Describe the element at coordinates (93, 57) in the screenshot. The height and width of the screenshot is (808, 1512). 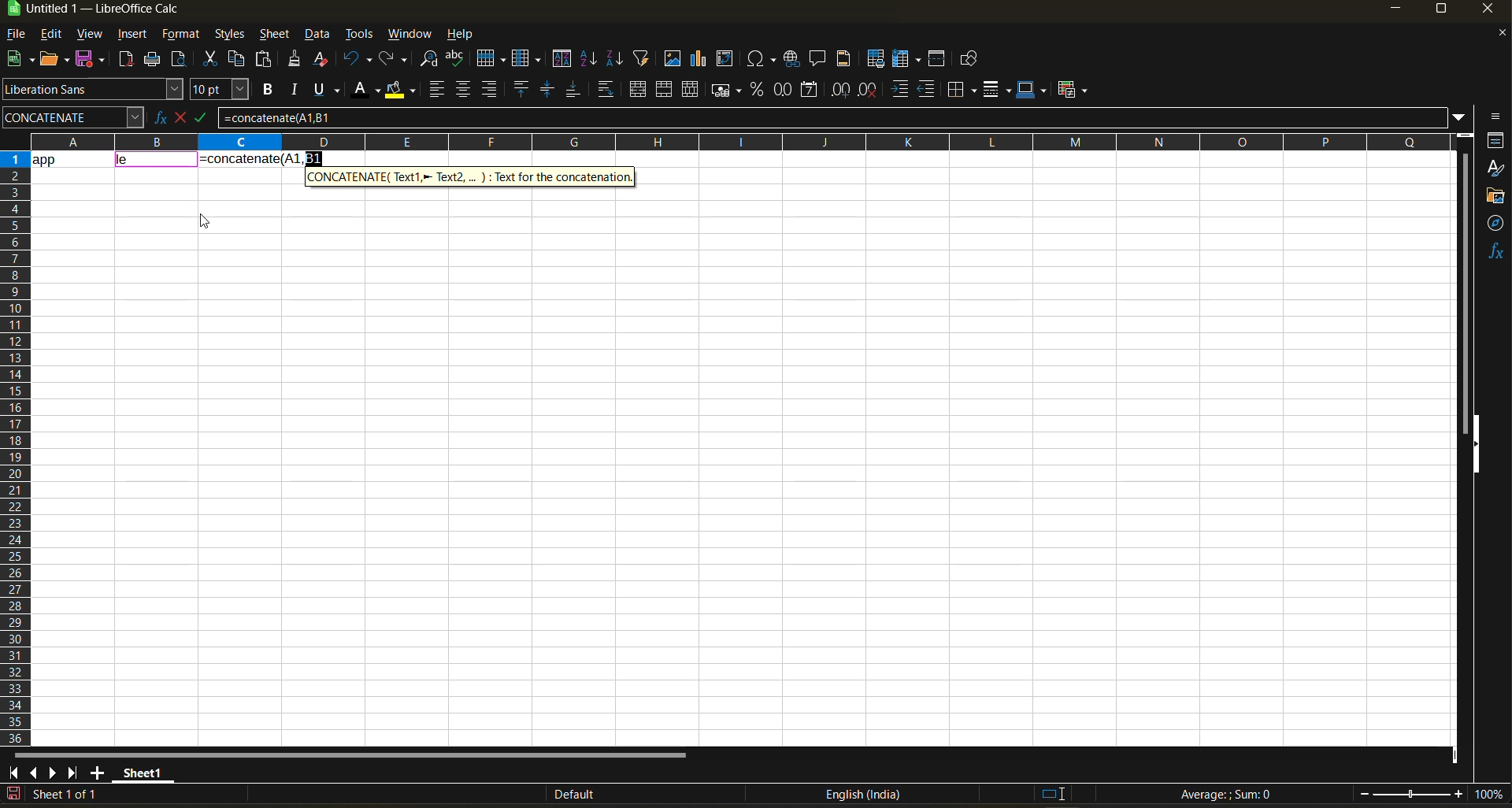
I see `save` at that location.